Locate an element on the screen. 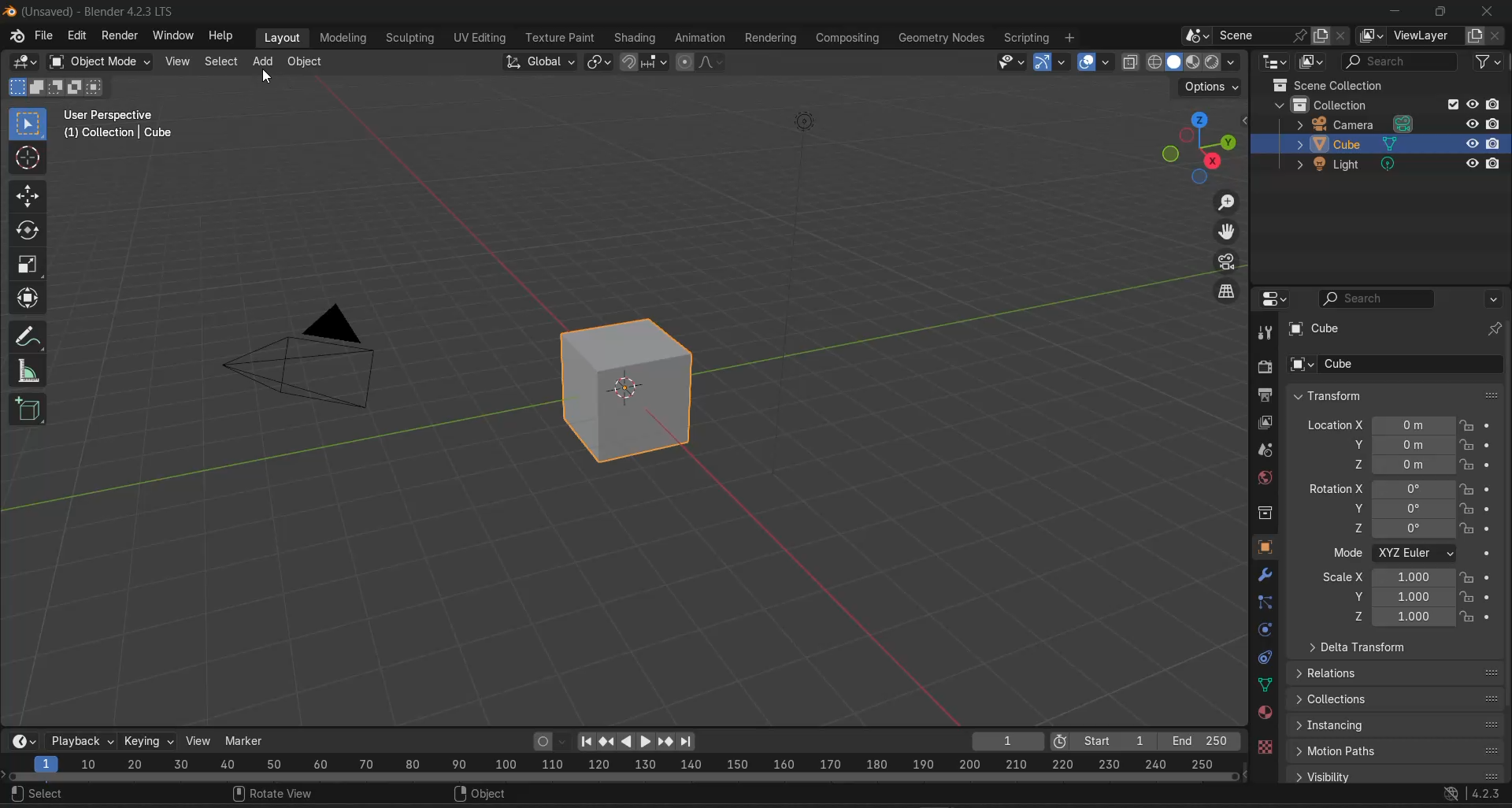 The image size is (1512, 808). view layer name is located at coordinates (1427, 36).